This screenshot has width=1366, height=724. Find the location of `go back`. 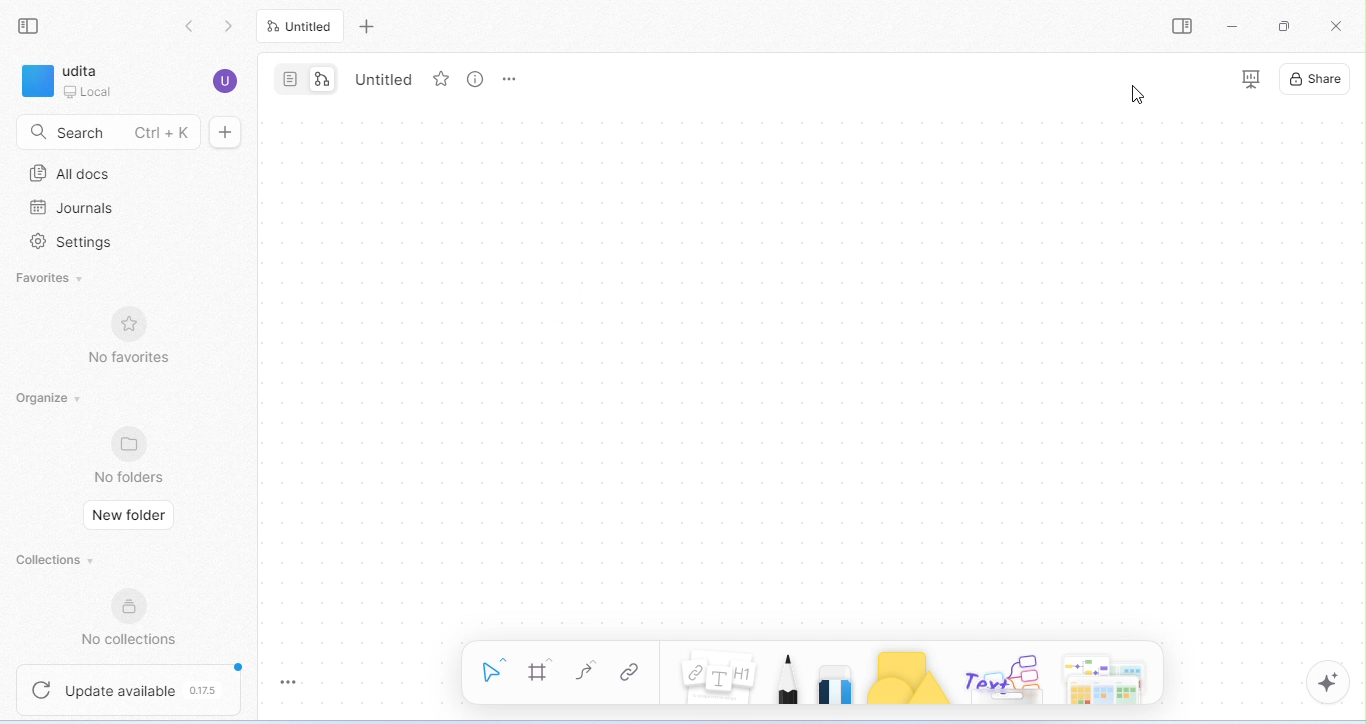

go back is located at coordinates (190, 26).